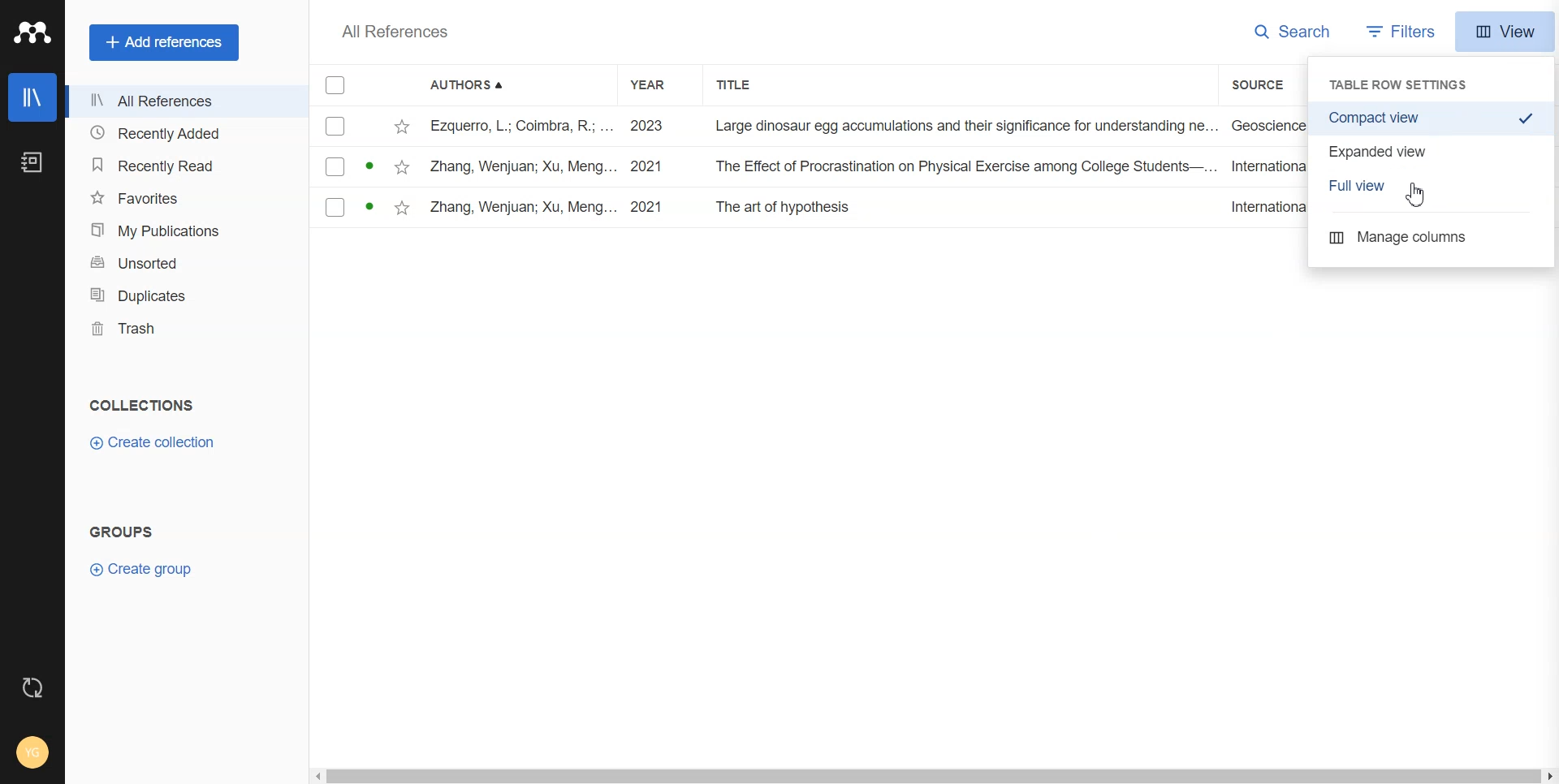 This screenshot has width=1559, height=784. Describe the element at coordinates (1404, 31) in the screenshot. I see `Filters` at that location.